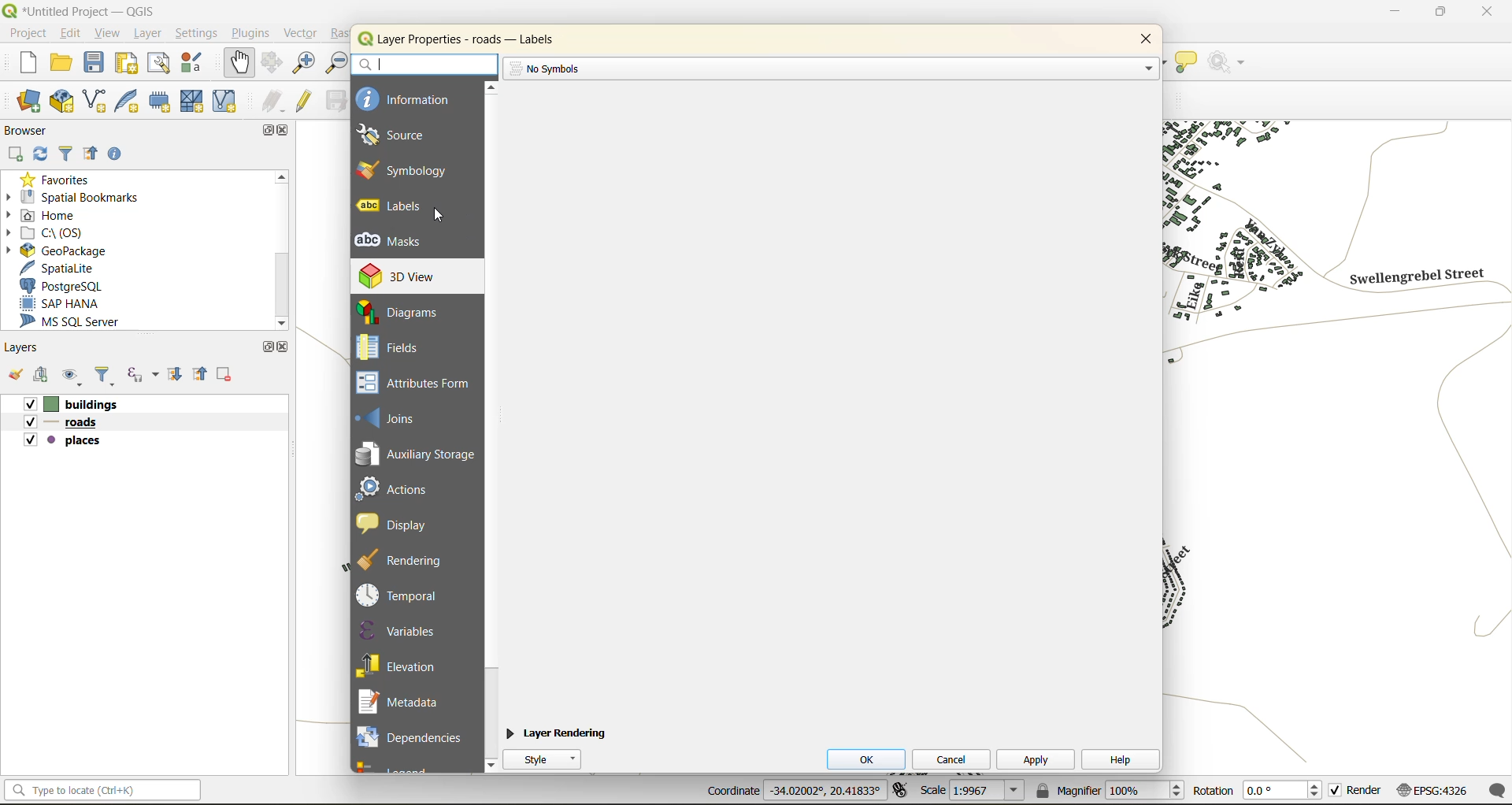 Image resolution: width=1512 pixels, height=805 pixels. What do you see at coordinates (794, 791) in the screenshot?
I see `coordinates` at bounding box center [794, 791].